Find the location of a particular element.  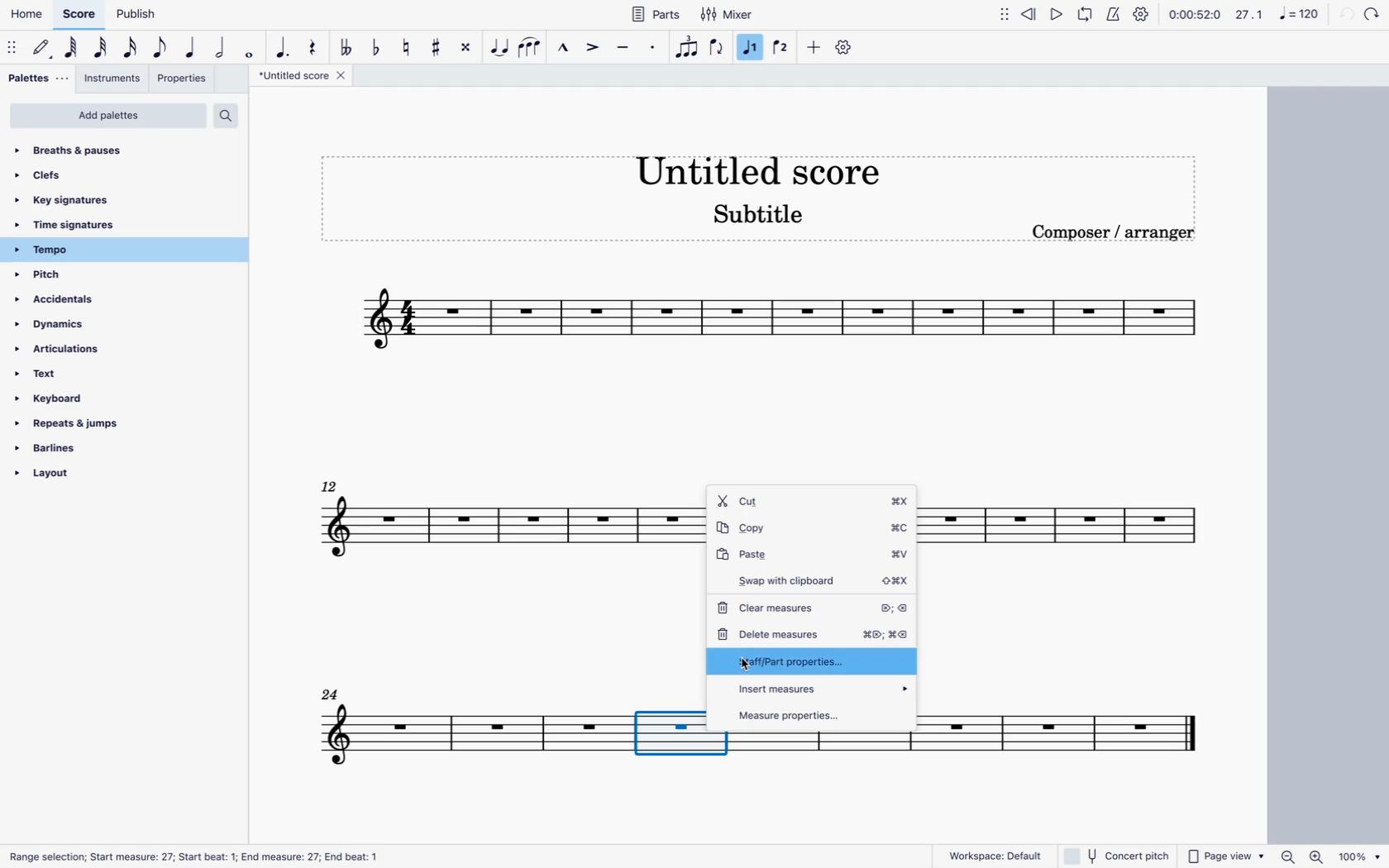

mixer is located at coordinates (728, 15).